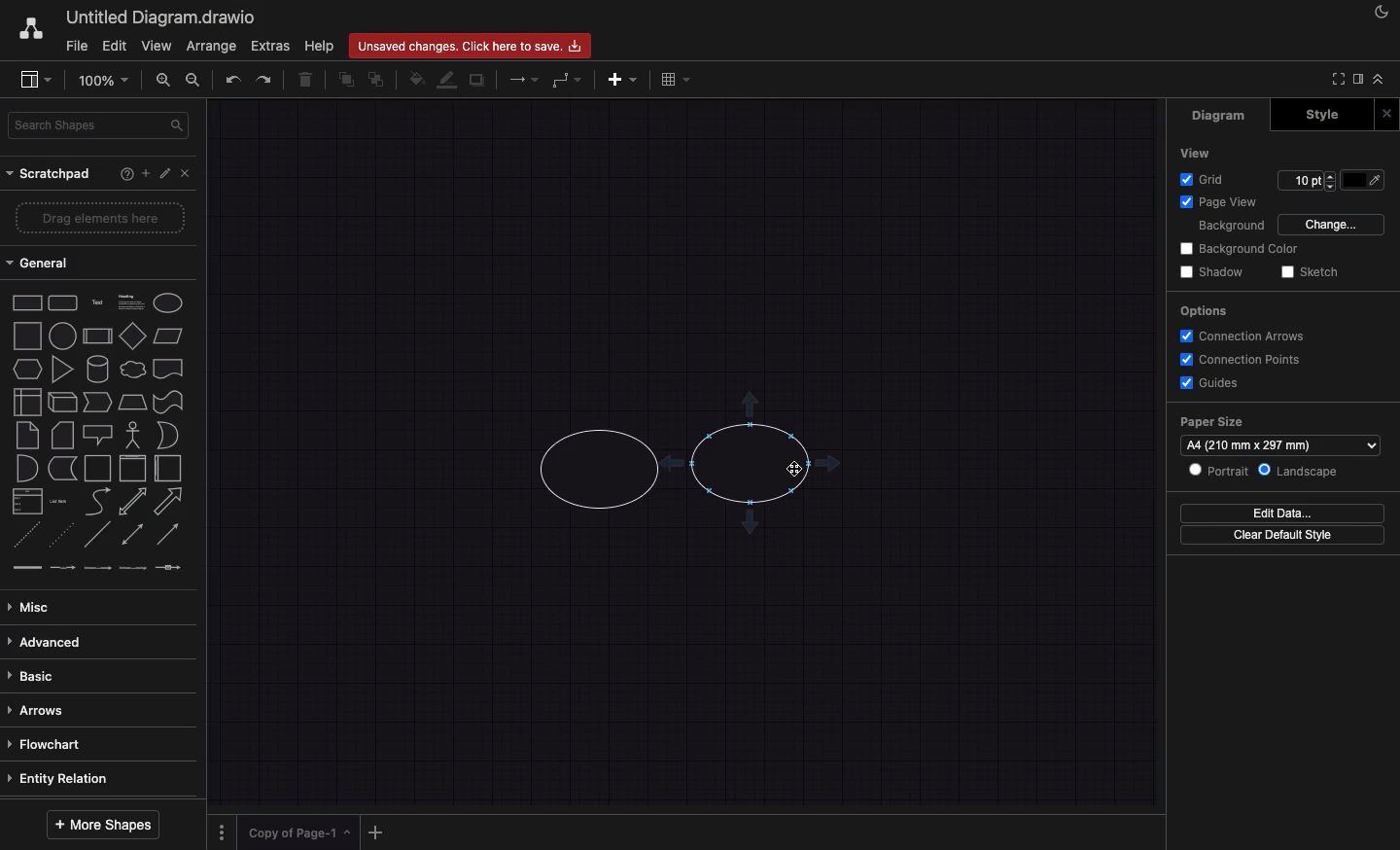 This screenshot has height=850, width=1400. Describe the element at coordinates (521, 80) in the screenshot. I see `connection` at that location.